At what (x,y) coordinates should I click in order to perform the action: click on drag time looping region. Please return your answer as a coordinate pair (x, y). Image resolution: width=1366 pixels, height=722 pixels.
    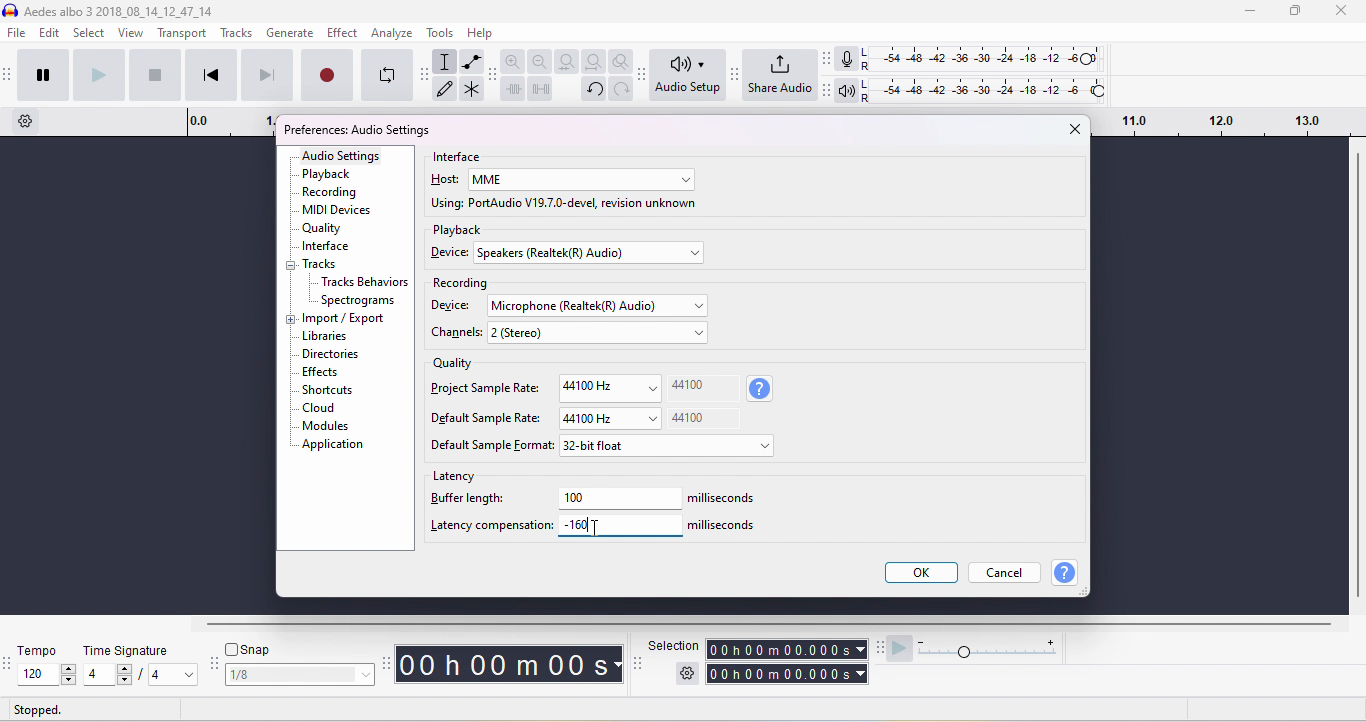
    Looking at the image, I should click on (1224, 123).